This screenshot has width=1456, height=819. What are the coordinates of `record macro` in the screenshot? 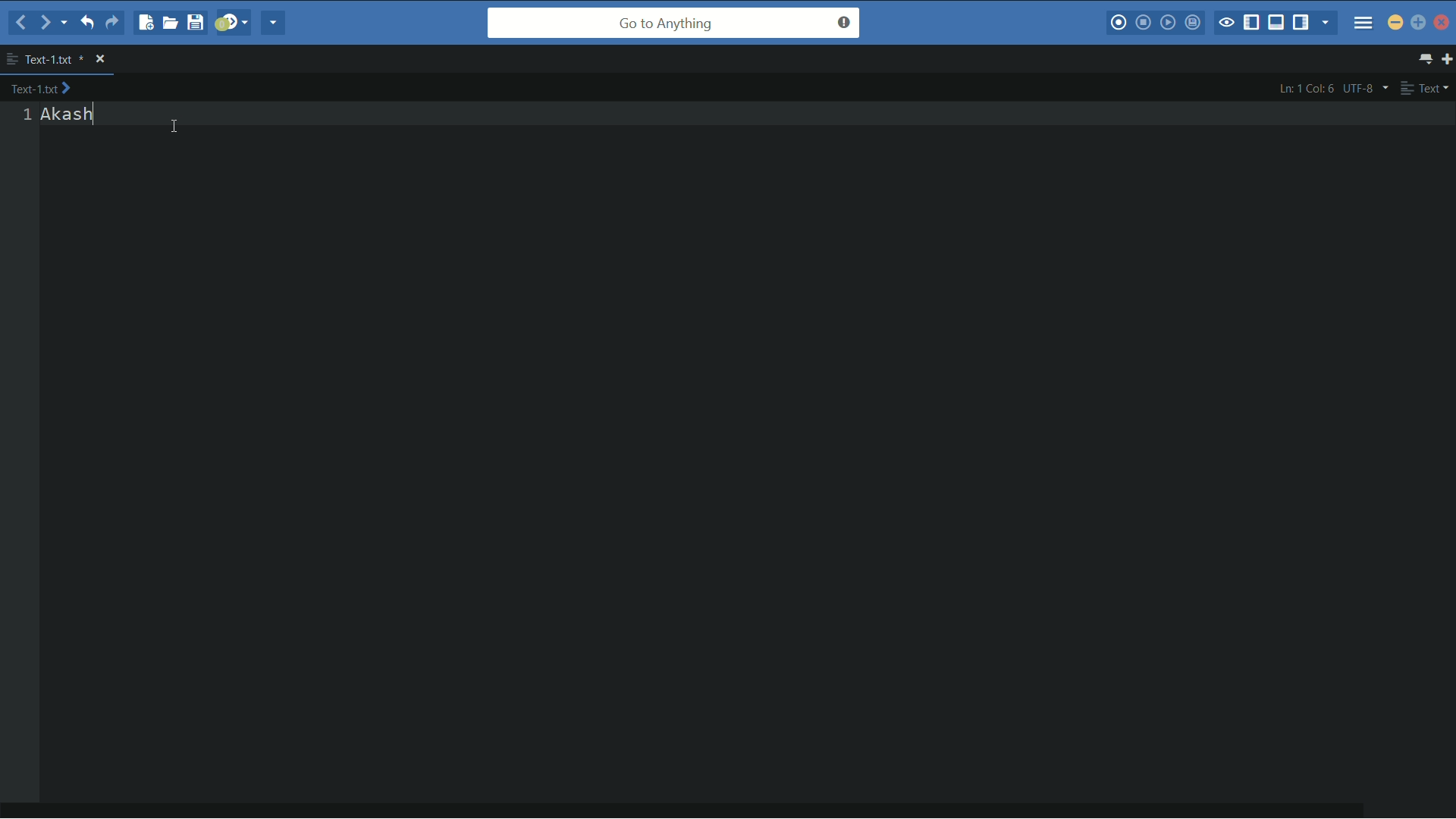 It's located at (1119, 21).